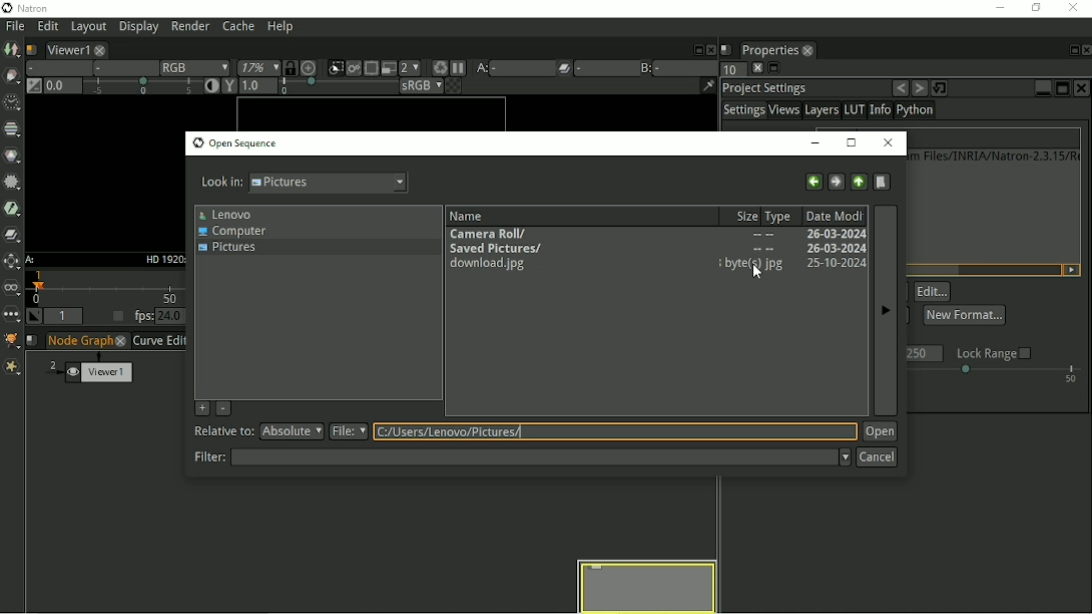 The height and width of the screenshot is (614, 1092). Describe the element at coordinates (334, 68) in the screenshot. I see `Clips the portion of the image` at that location.